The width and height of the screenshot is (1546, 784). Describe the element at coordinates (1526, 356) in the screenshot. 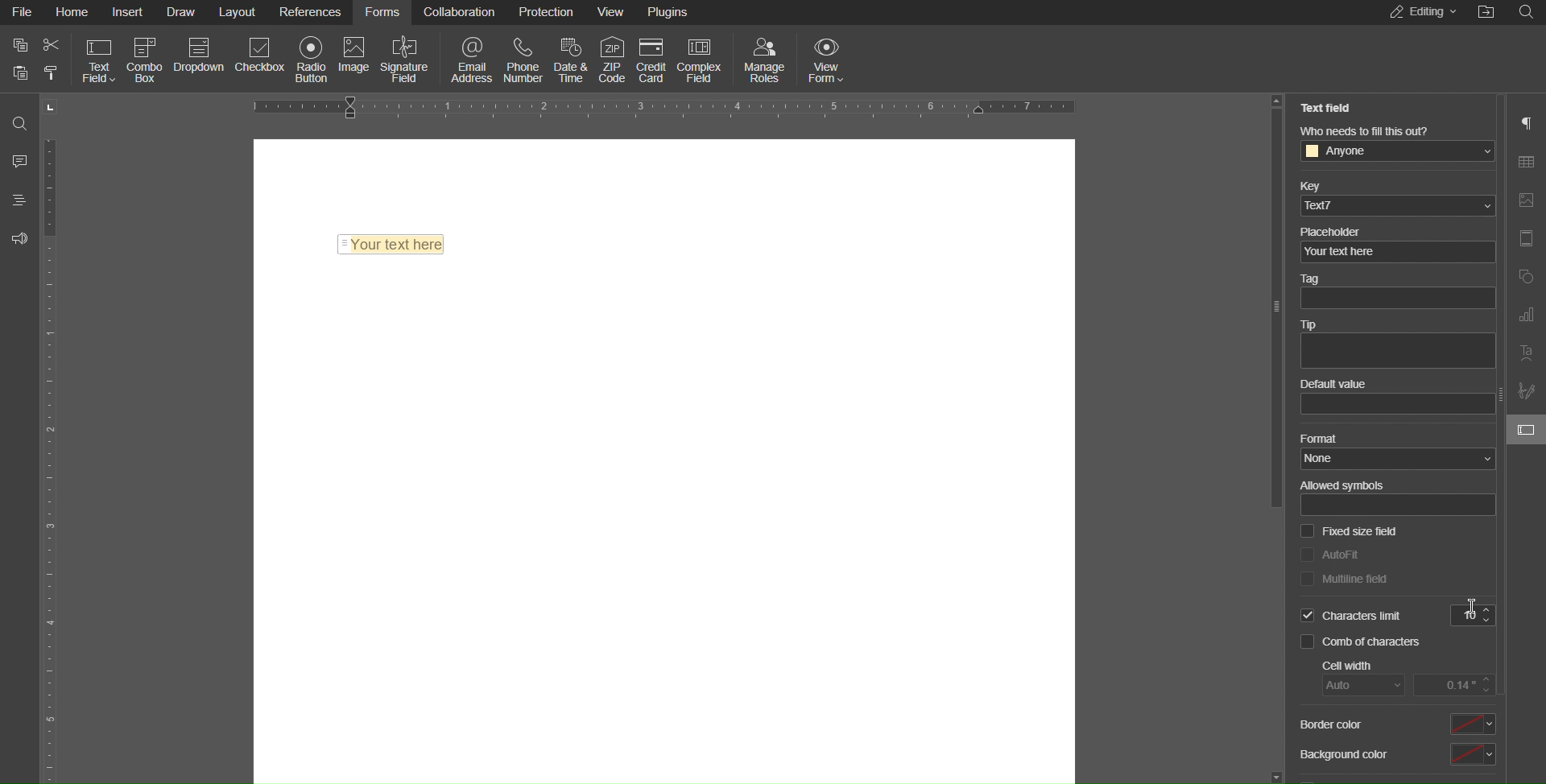

I see `Text Art` at that location.